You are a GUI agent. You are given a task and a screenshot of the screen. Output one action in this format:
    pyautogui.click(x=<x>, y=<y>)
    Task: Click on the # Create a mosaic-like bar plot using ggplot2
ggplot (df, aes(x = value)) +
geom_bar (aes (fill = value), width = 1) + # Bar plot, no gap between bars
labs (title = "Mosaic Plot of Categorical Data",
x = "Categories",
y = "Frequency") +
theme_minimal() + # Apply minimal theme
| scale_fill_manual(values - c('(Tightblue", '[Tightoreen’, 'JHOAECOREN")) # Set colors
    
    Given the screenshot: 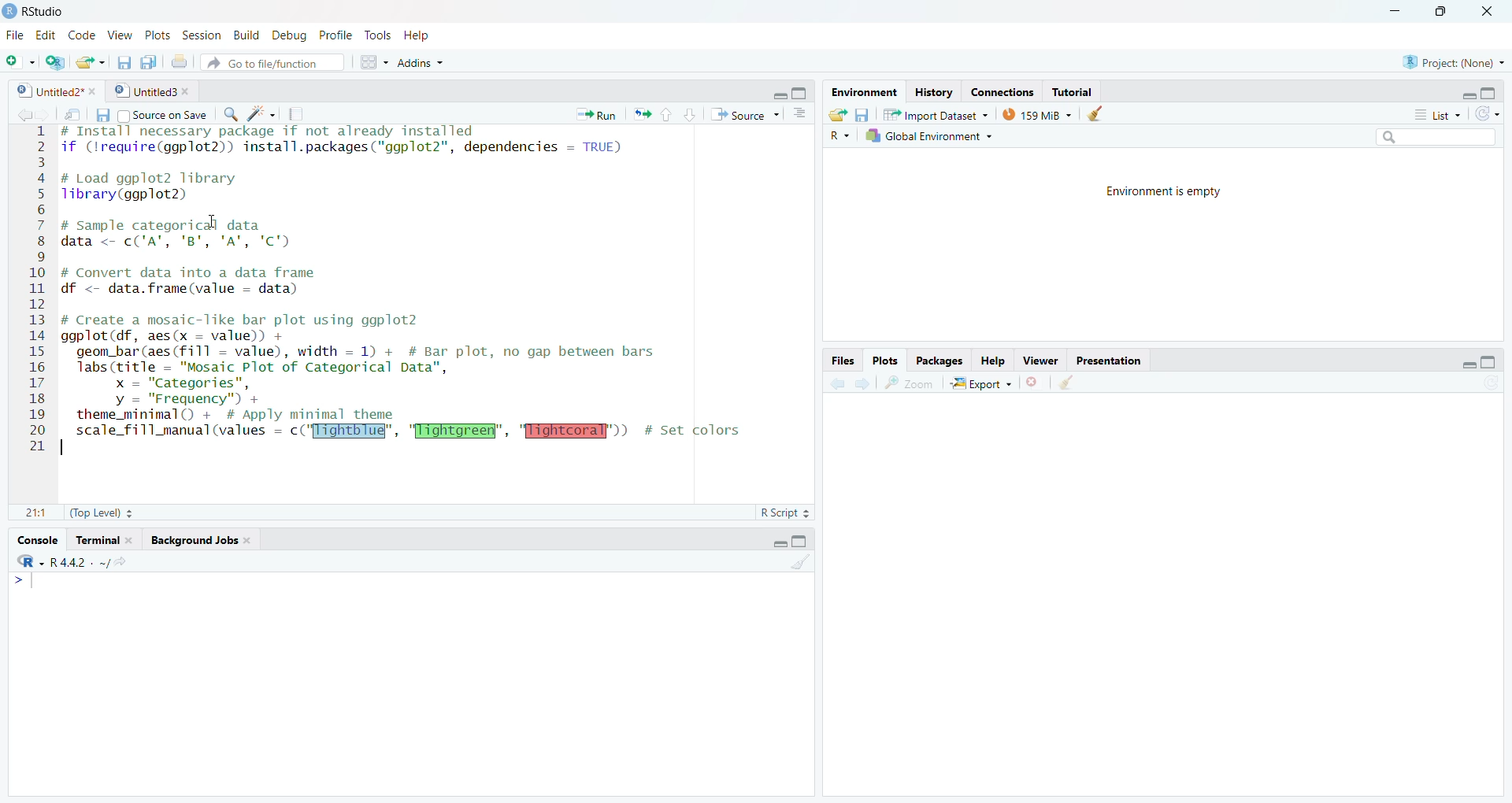 What is the action you would take?
    pyautogui.click(x=406, y=384)
    